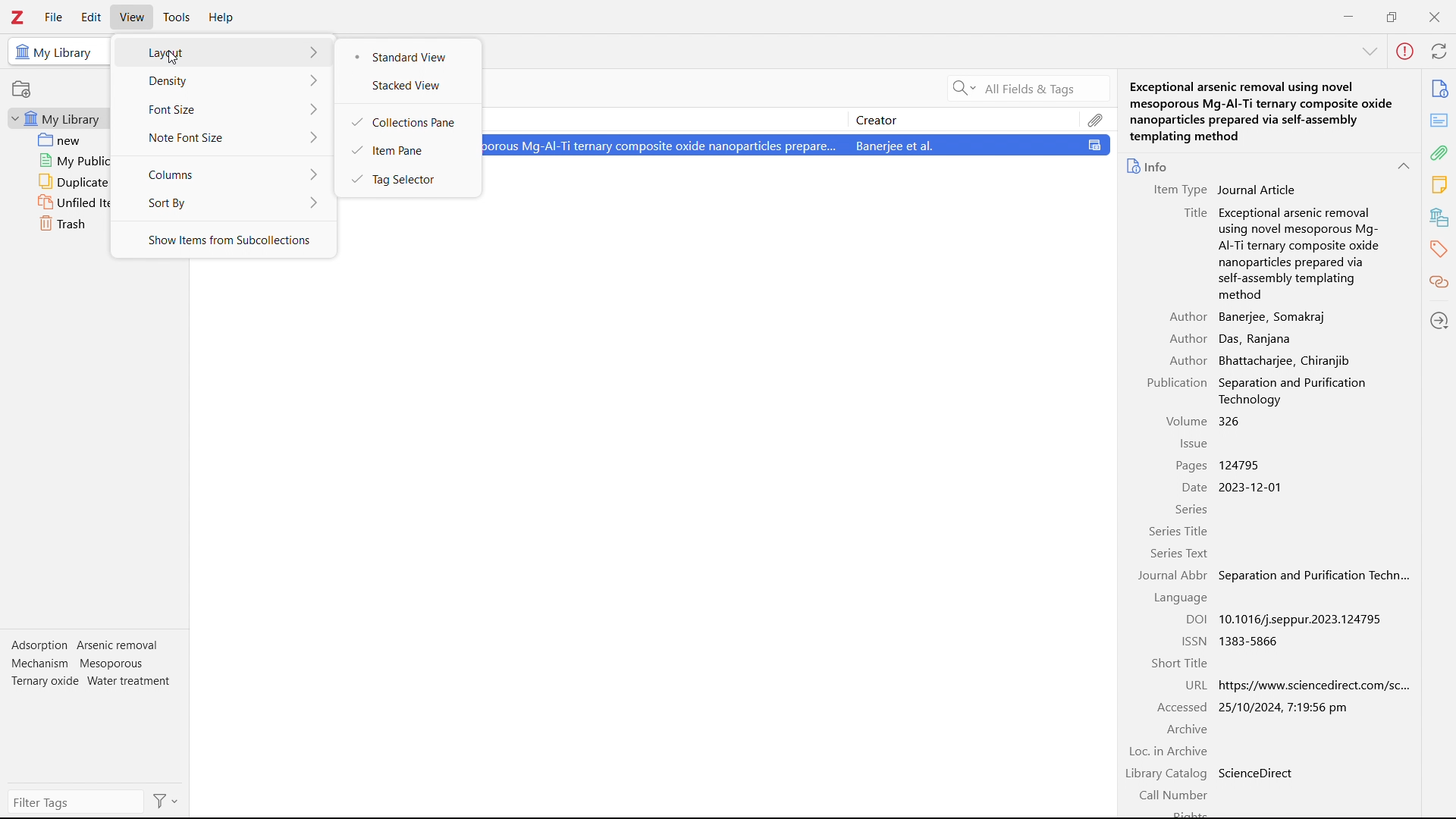 This screenshot has height=819, width=1456. What do you see at coordinates (132, 17) in the screenshot?
I see `view` at bounding box center [132, 17].